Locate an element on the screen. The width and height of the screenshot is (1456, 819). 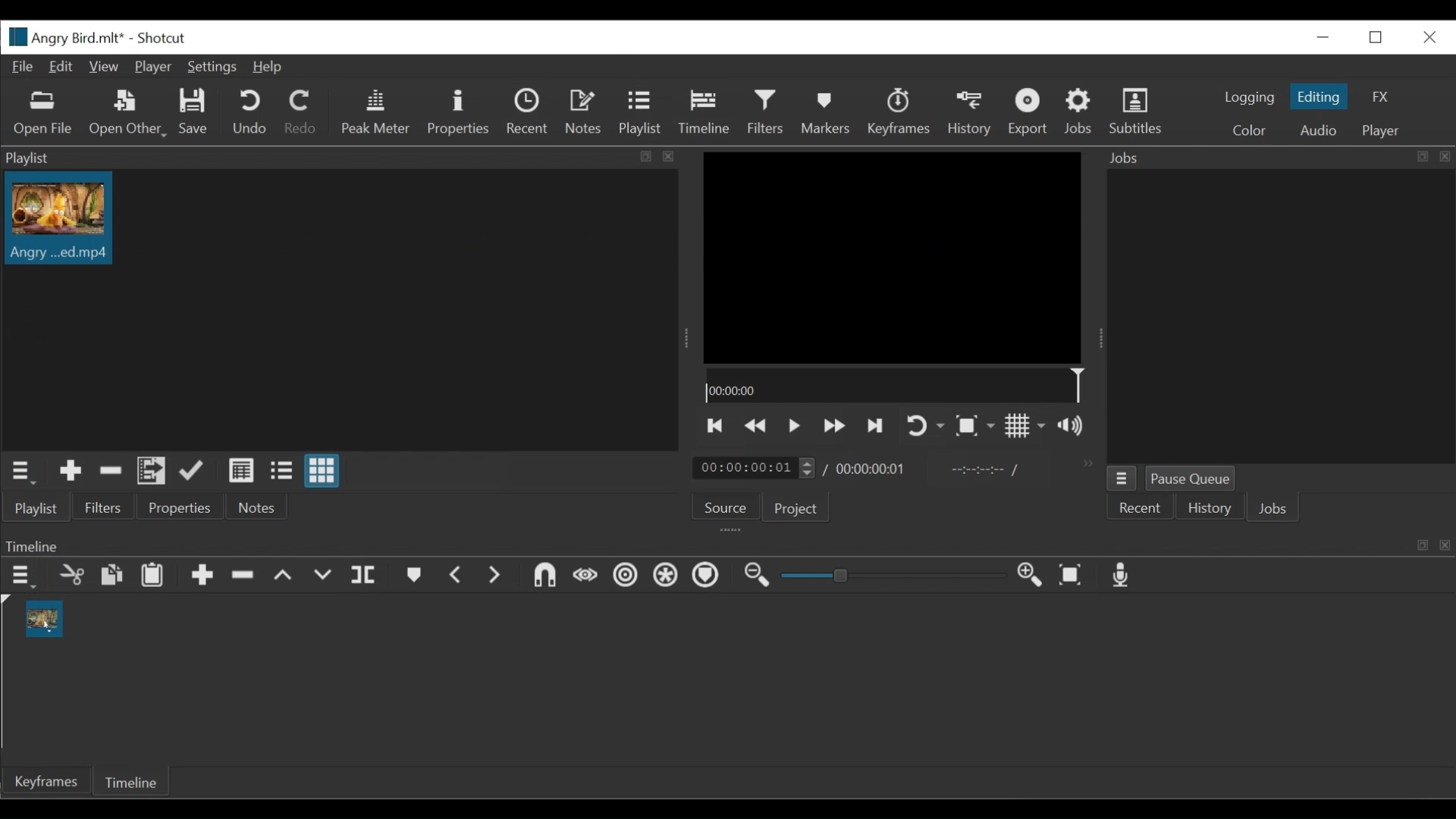
Overwrite is located at coordinates (325, 576).